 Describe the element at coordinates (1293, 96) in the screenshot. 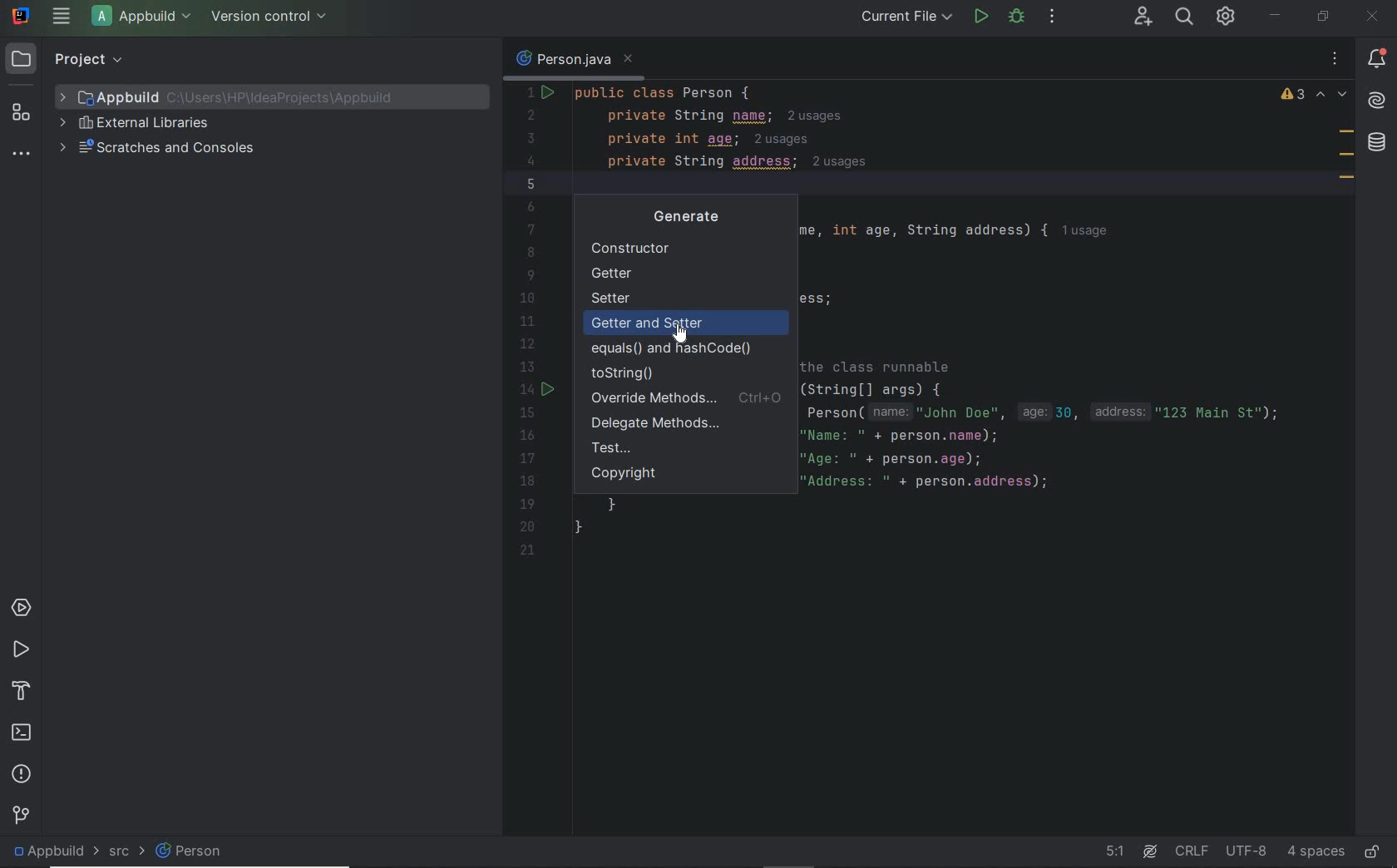

I see `warnings` at that location.